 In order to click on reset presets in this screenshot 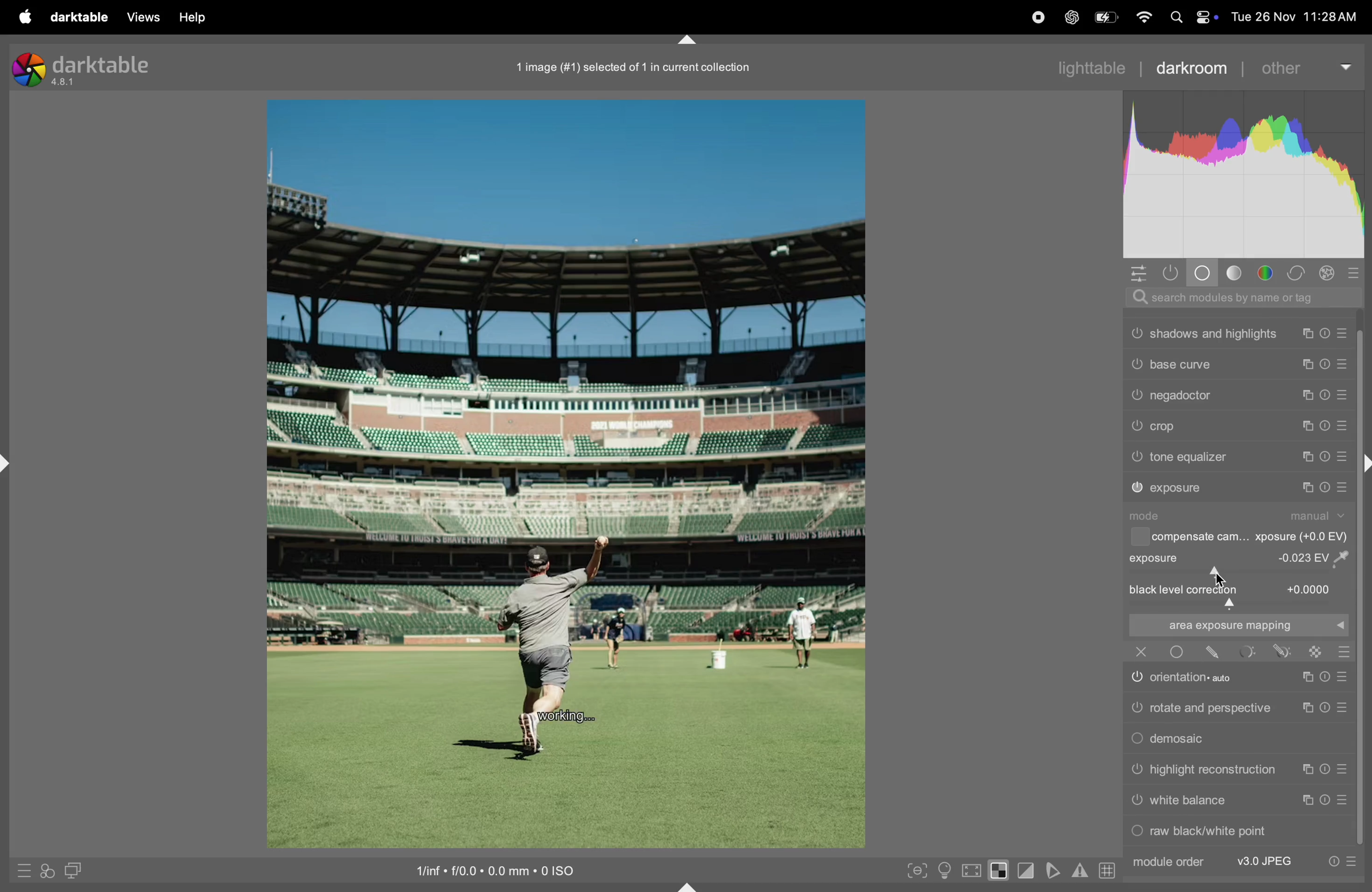, I will do `click(1324, 487)`.